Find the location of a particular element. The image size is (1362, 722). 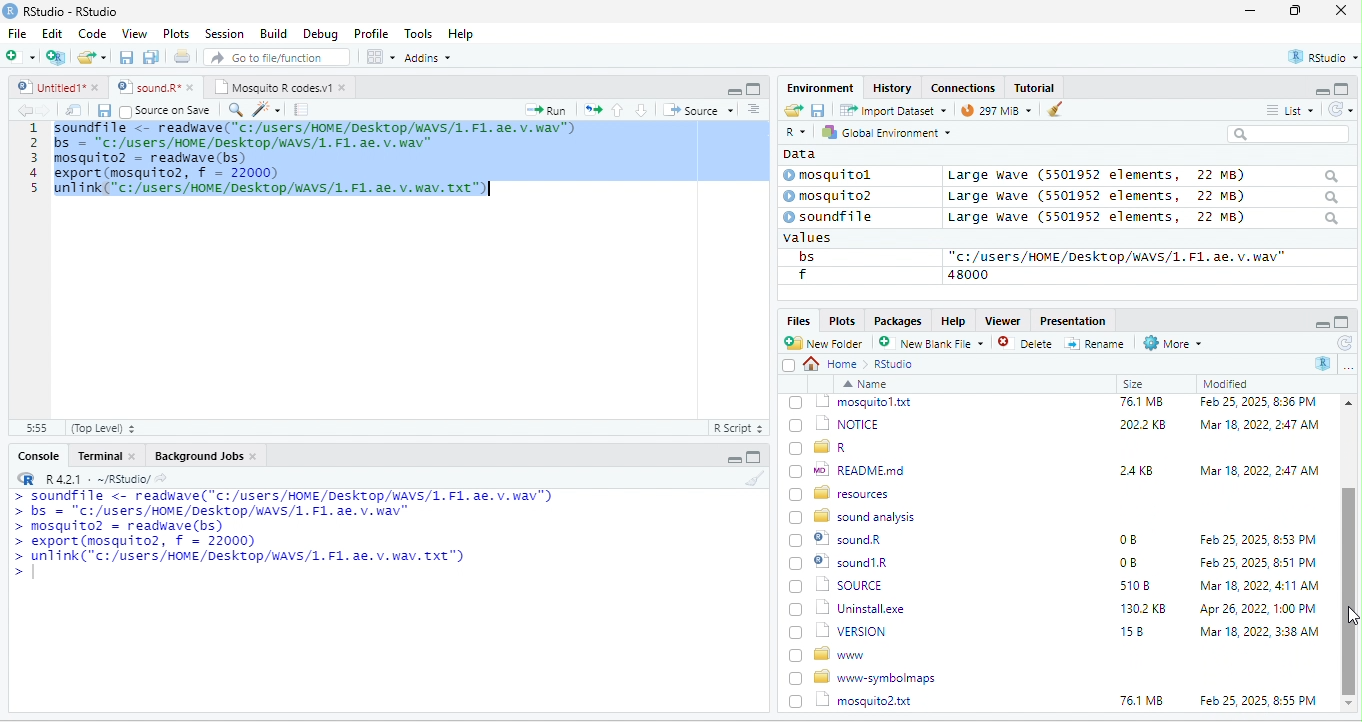

save as is located at coordinates (153, 58).